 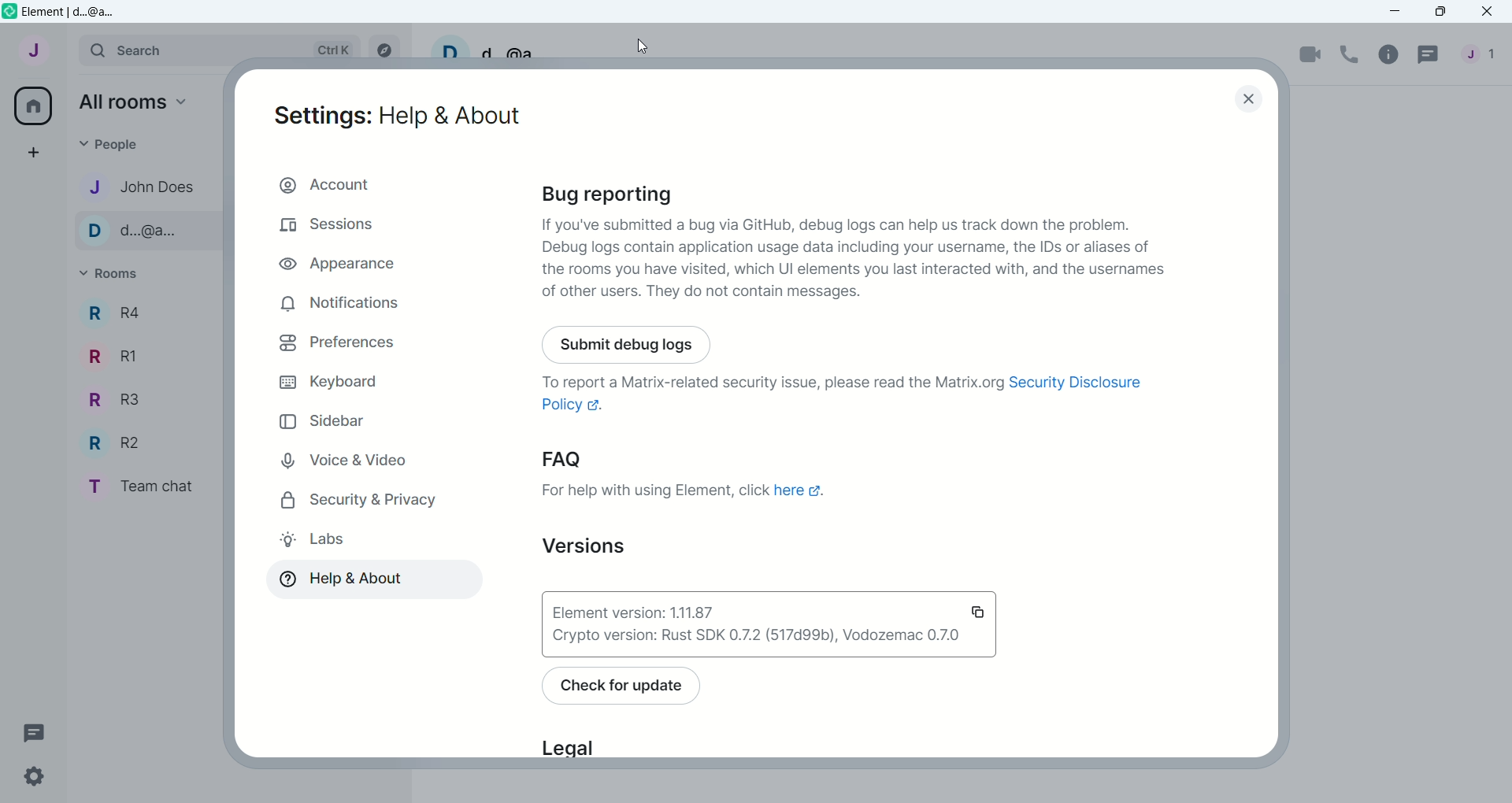 I want to click on Versions, so click(x=565, y=544).